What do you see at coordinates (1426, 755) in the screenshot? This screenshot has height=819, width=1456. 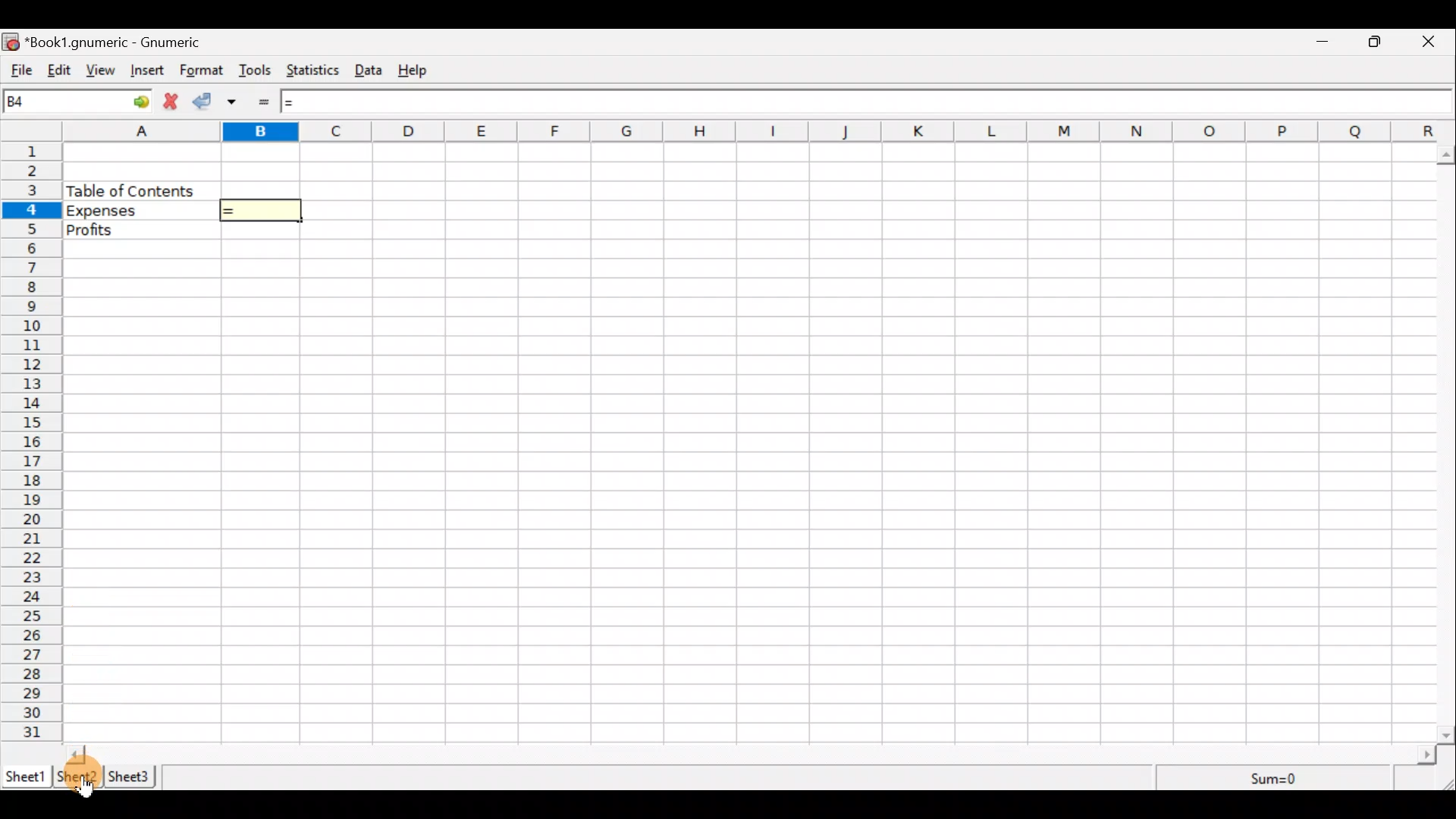 I see `scroll right` at bounding box center [1426, 755].